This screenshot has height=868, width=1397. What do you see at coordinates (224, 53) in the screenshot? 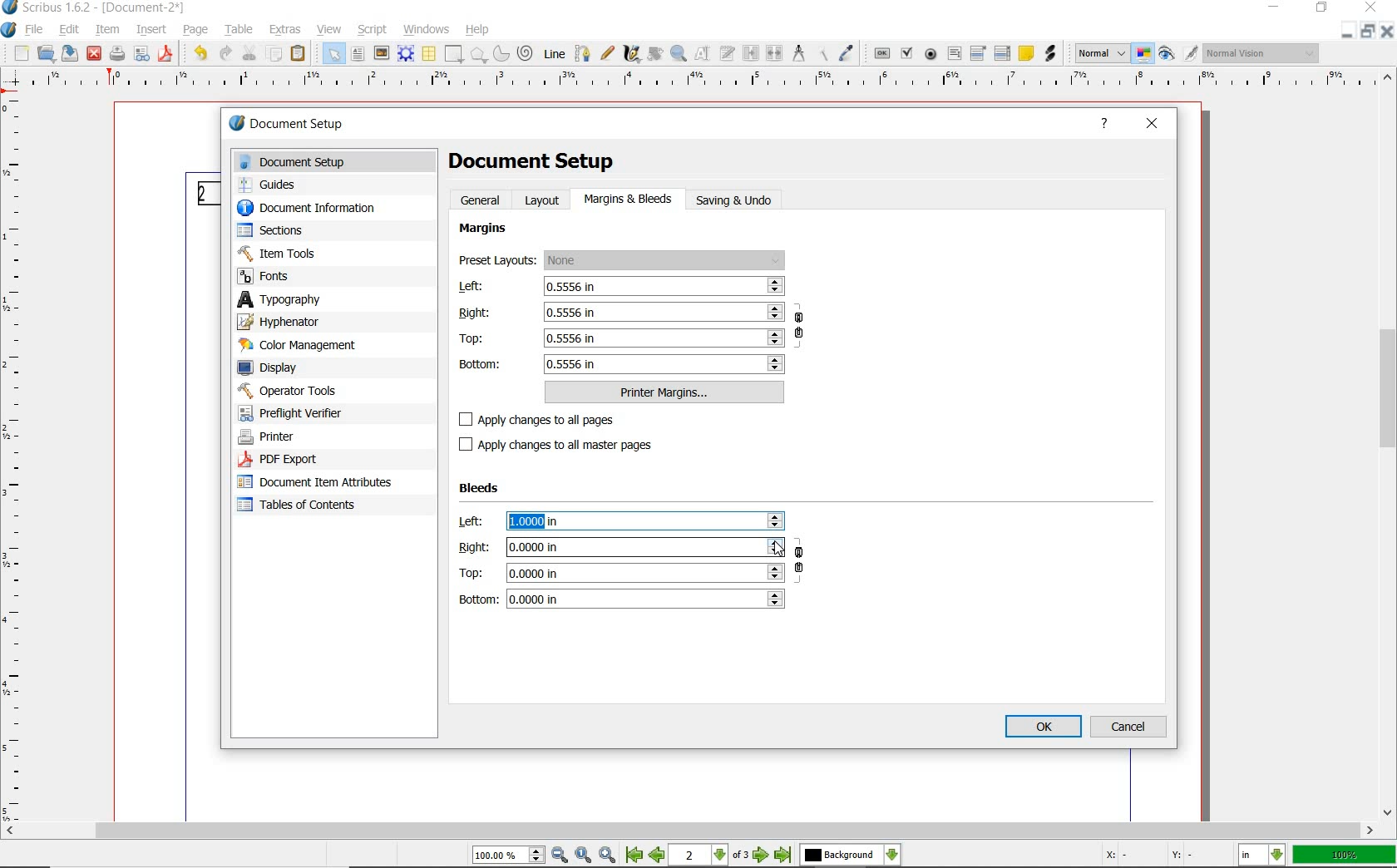
I see `redo` at bounding box center [224, 53].